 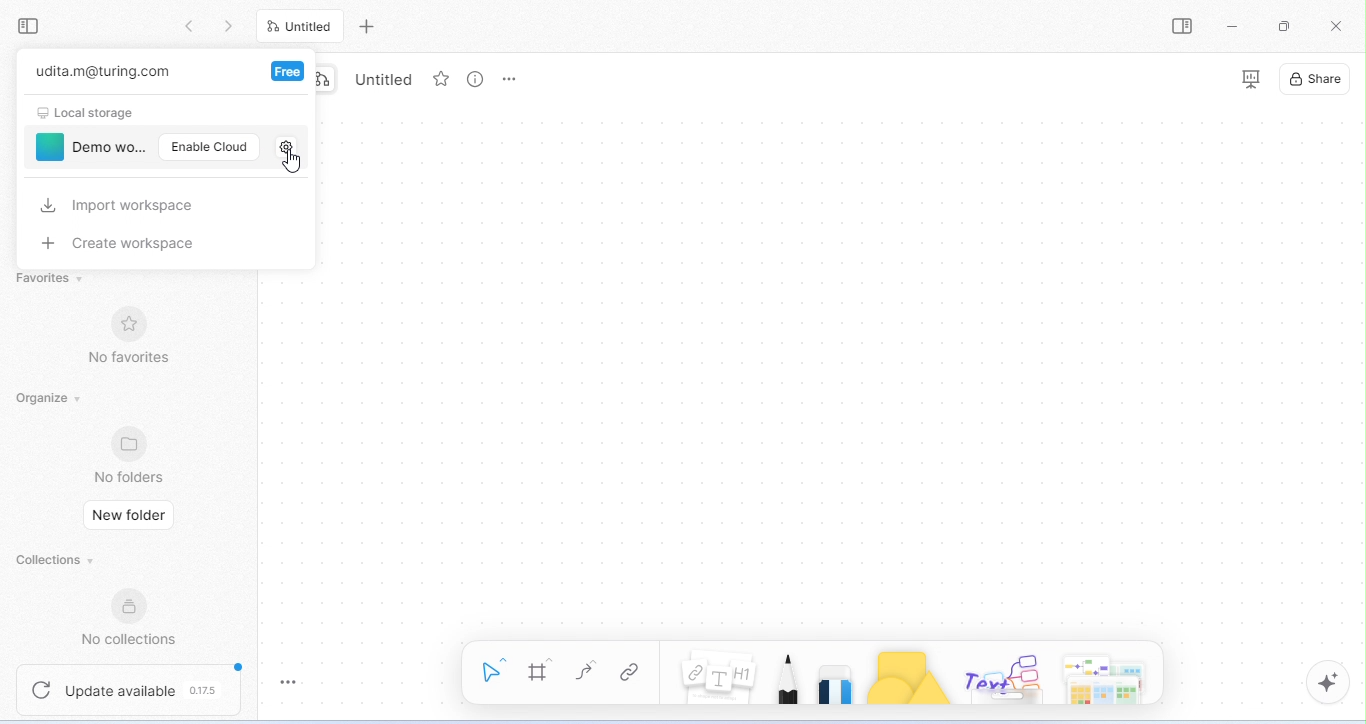 I want to click on favorite, so click(x=443, y=81).